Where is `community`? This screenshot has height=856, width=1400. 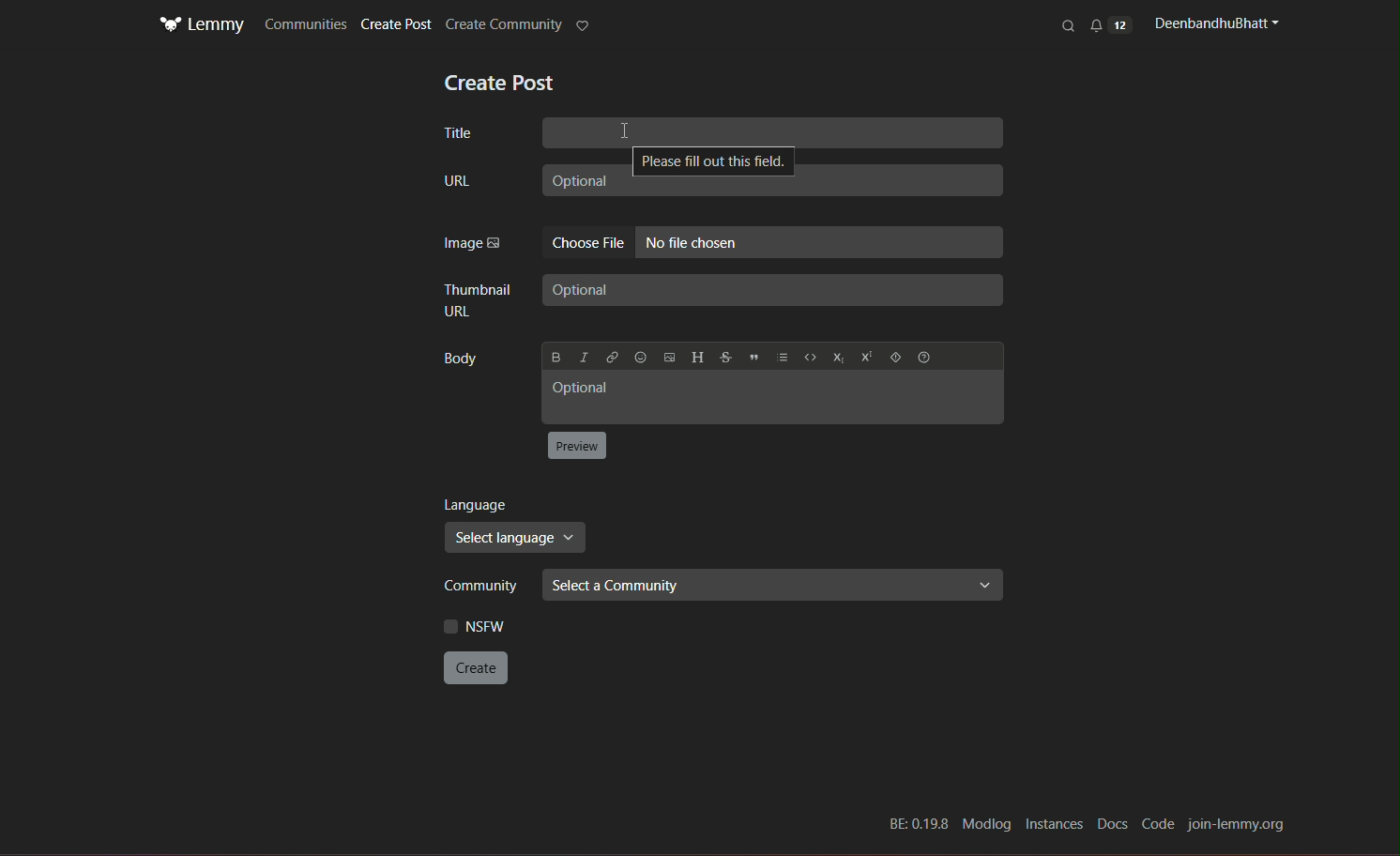 community is located at coordinates (483, 587).